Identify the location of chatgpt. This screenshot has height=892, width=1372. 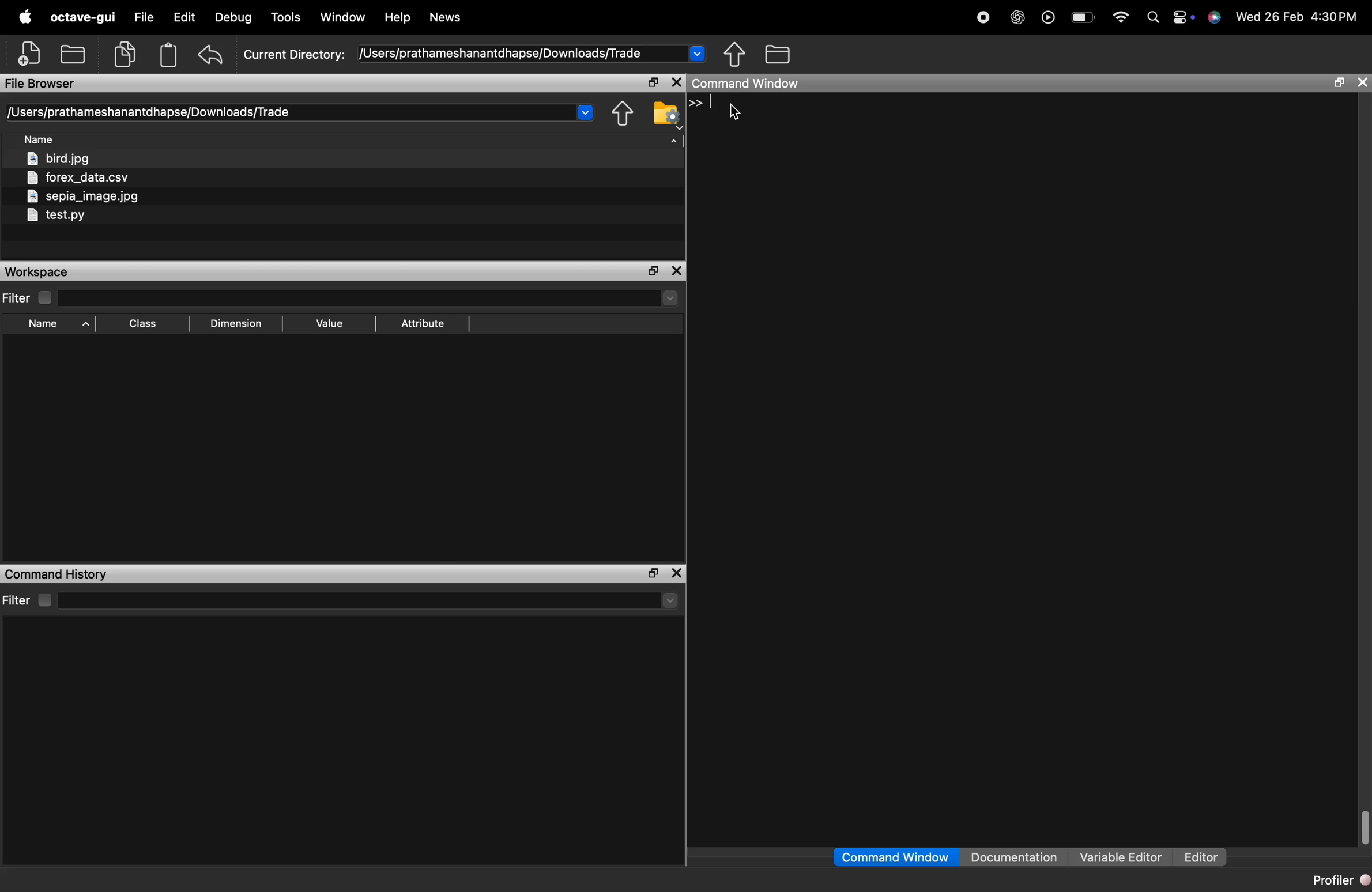
(1018, 17).